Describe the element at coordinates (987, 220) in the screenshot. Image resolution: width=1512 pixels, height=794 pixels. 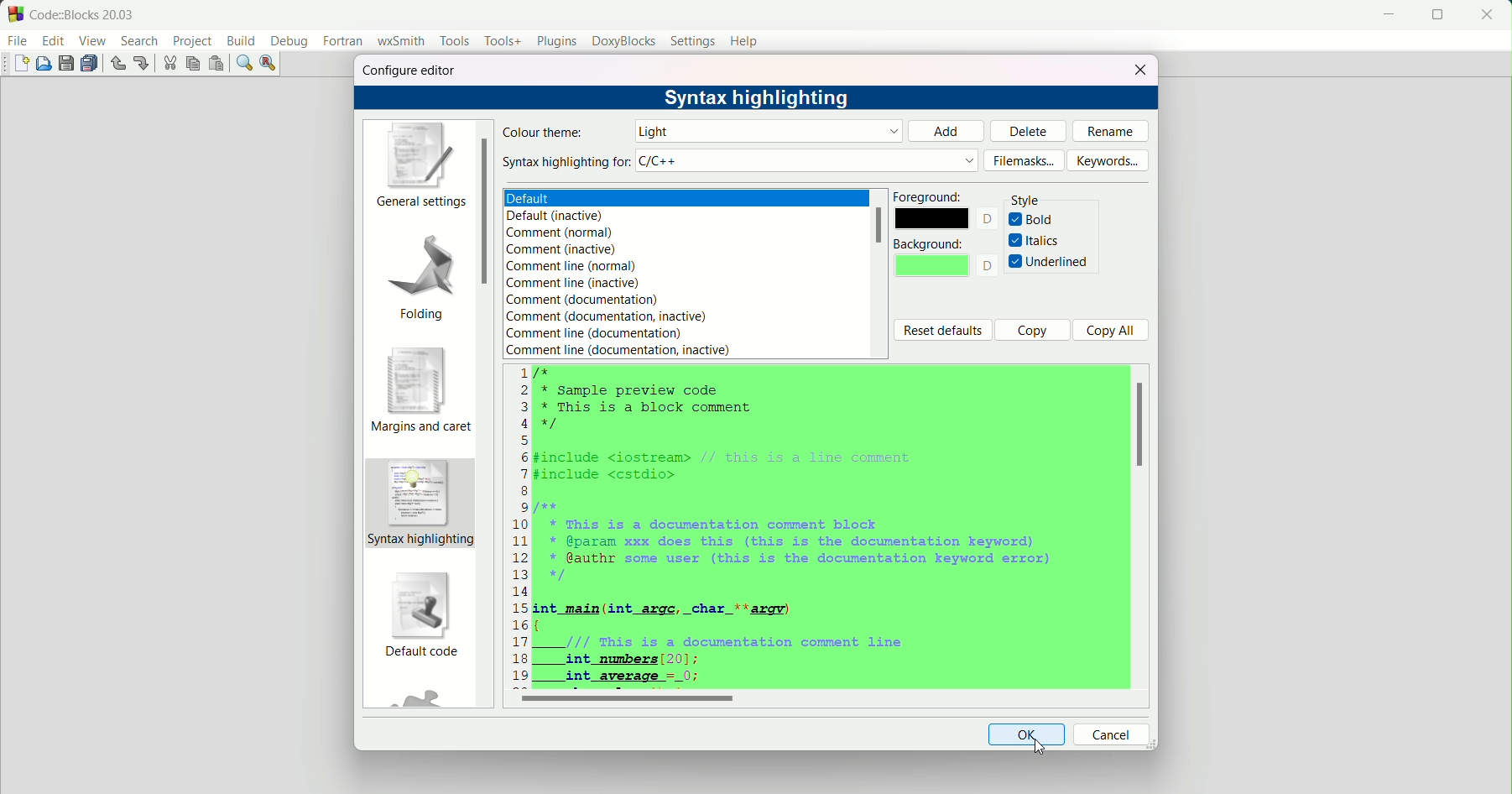
I see `text` at that location.